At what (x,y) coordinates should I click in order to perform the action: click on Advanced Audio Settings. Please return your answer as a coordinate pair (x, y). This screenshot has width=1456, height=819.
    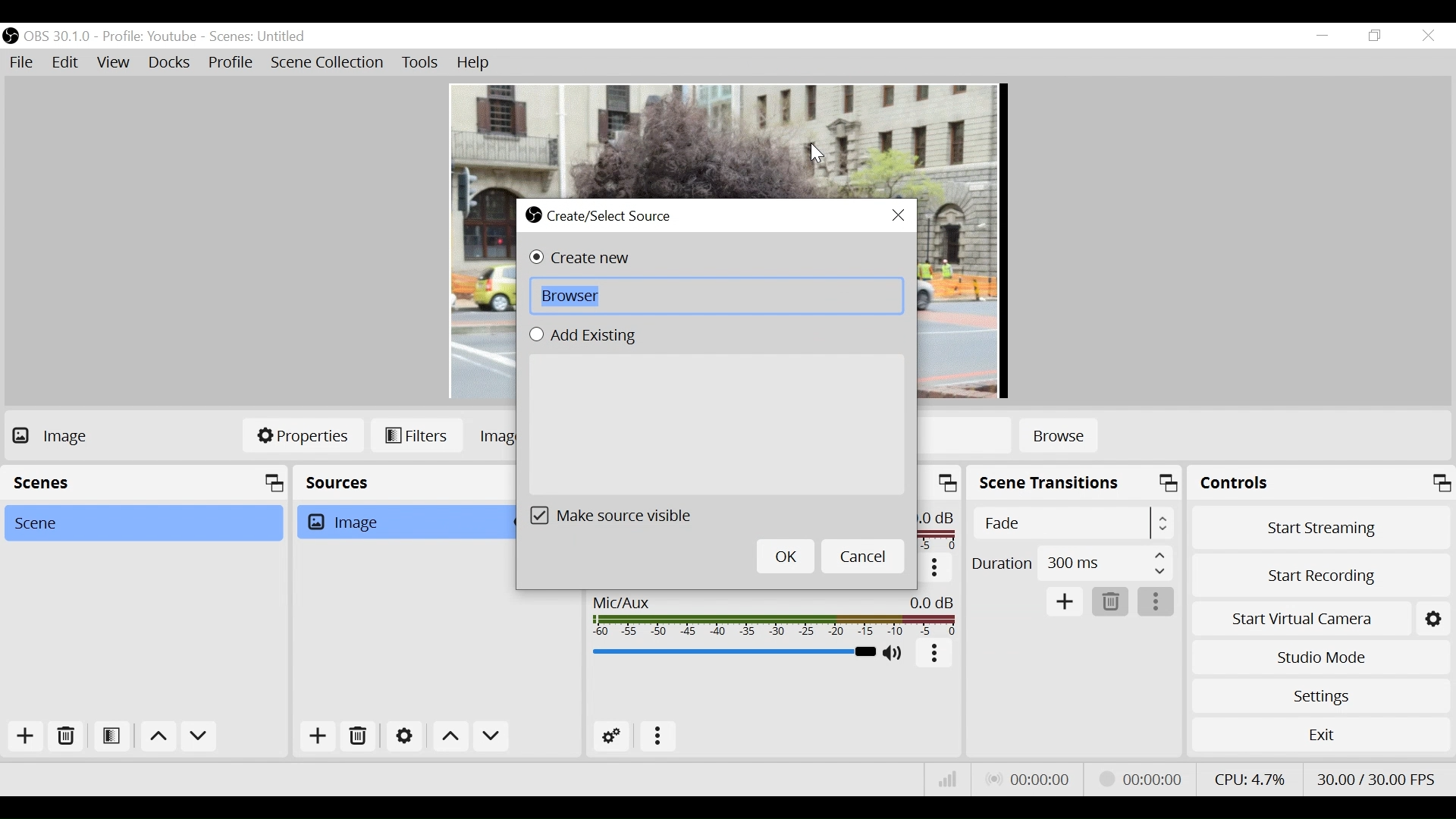
    Looking at the image, I should click on (612, 737).